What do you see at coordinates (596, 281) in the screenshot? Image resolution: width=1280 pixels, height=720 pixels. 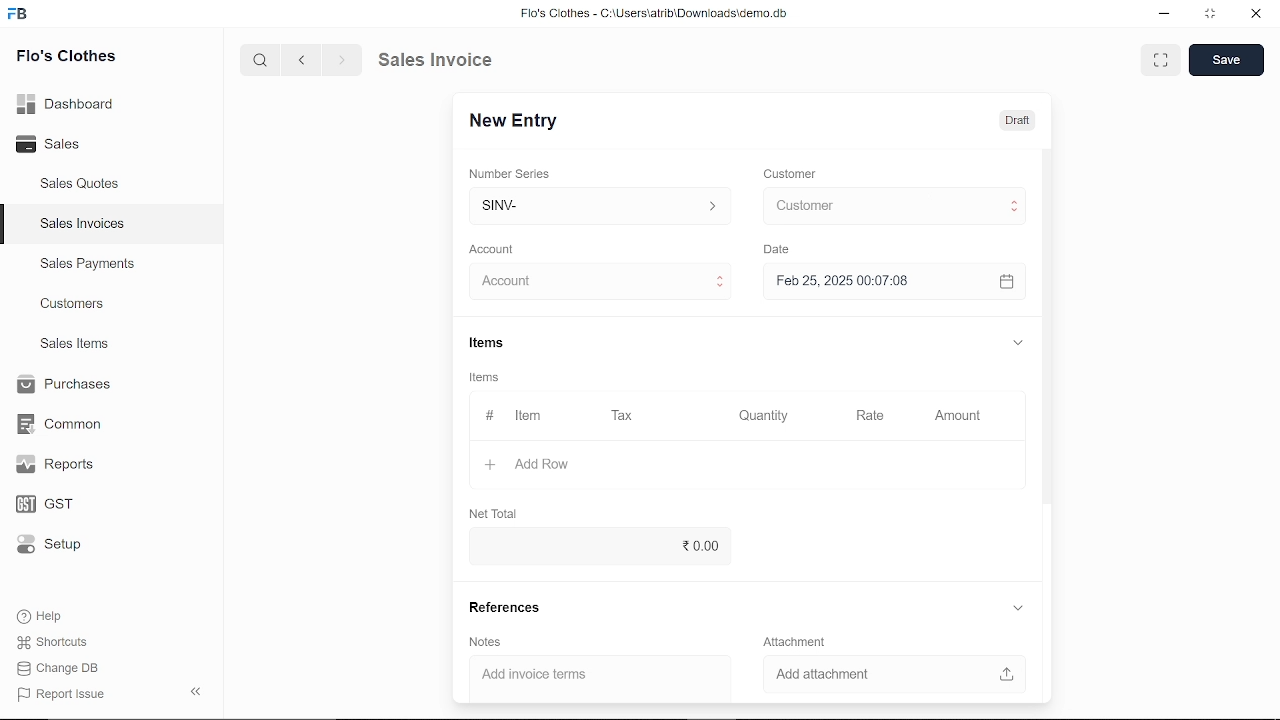 I see `Insert Account ` at bounding box center [596, 281].